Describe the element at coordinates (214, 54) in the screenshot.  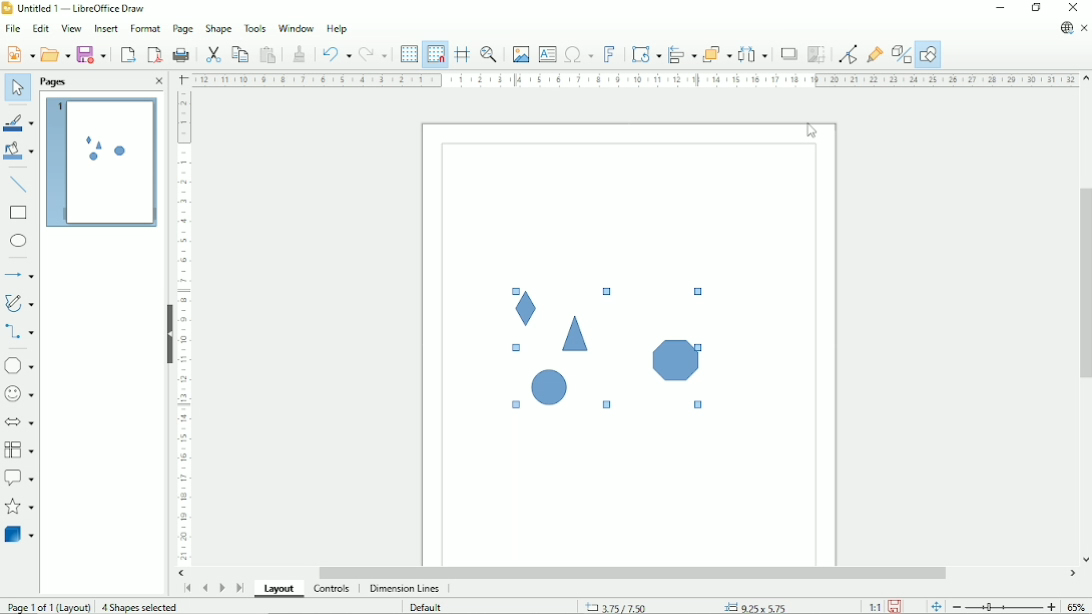
I see `Cut` at that location.